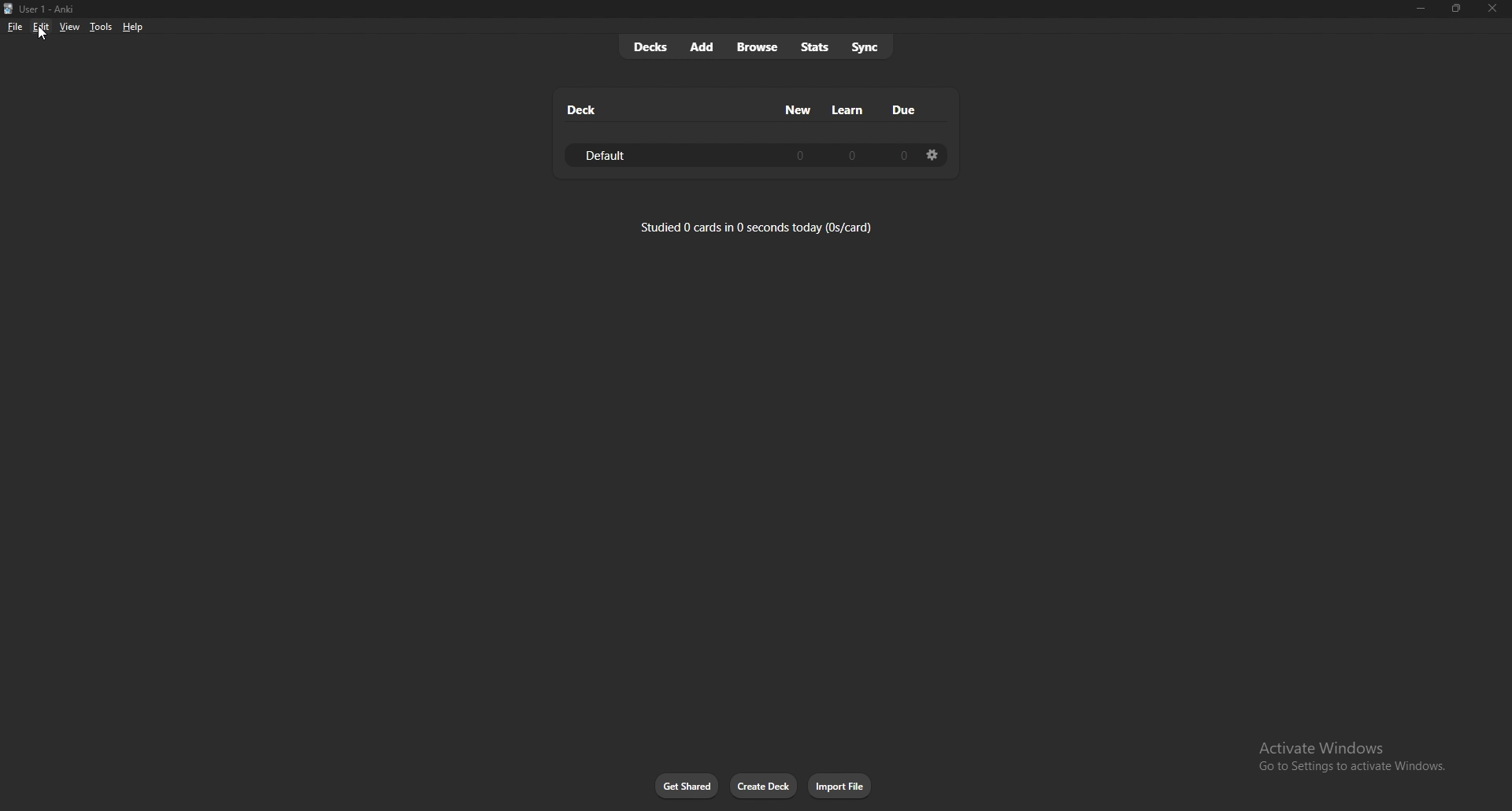 The width and height of the screenshot is (1512, 811). I want to click on import file, so click(842, 786).